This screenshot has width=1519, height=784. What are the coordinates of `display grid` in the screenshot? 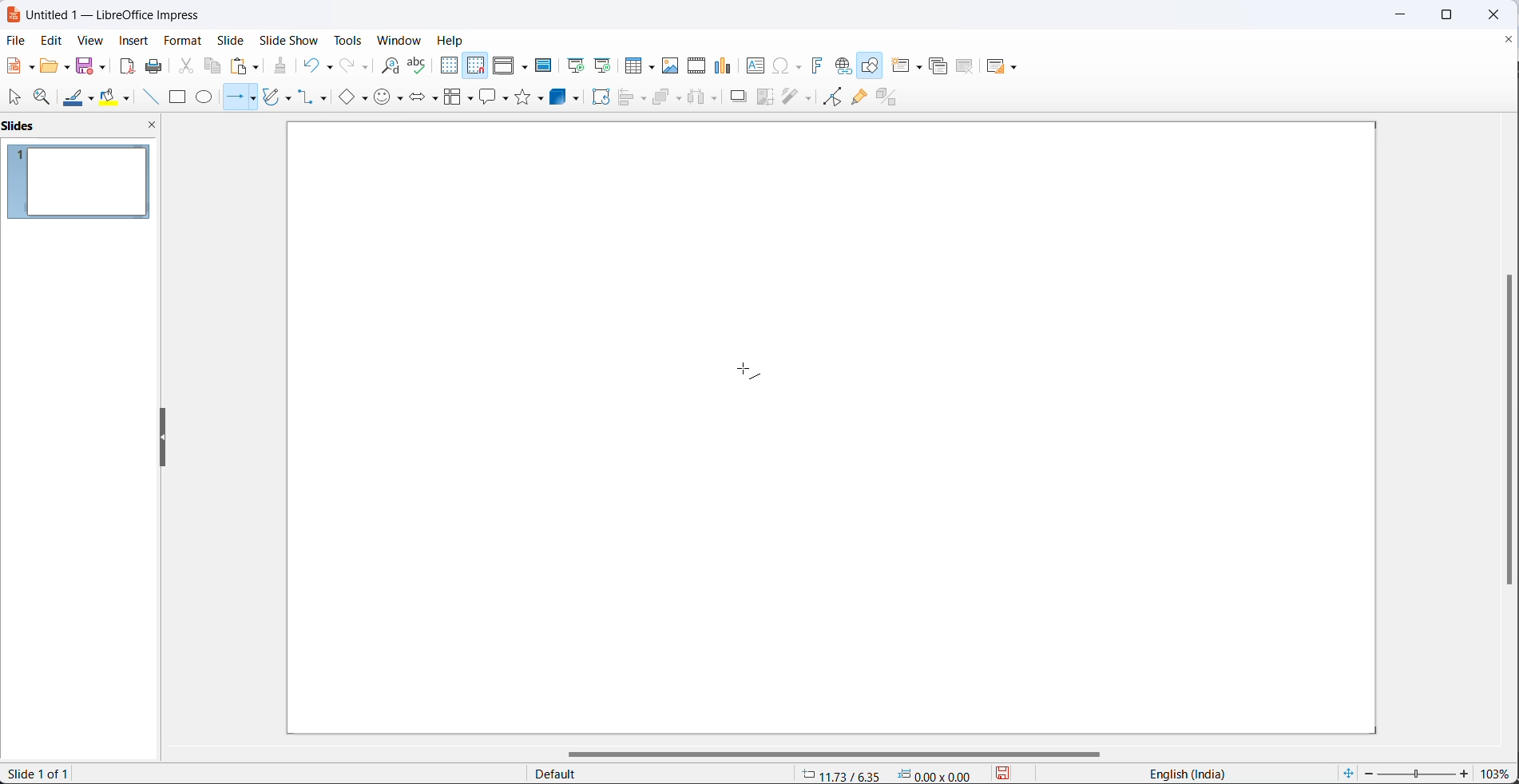 It's located at (449, 68).